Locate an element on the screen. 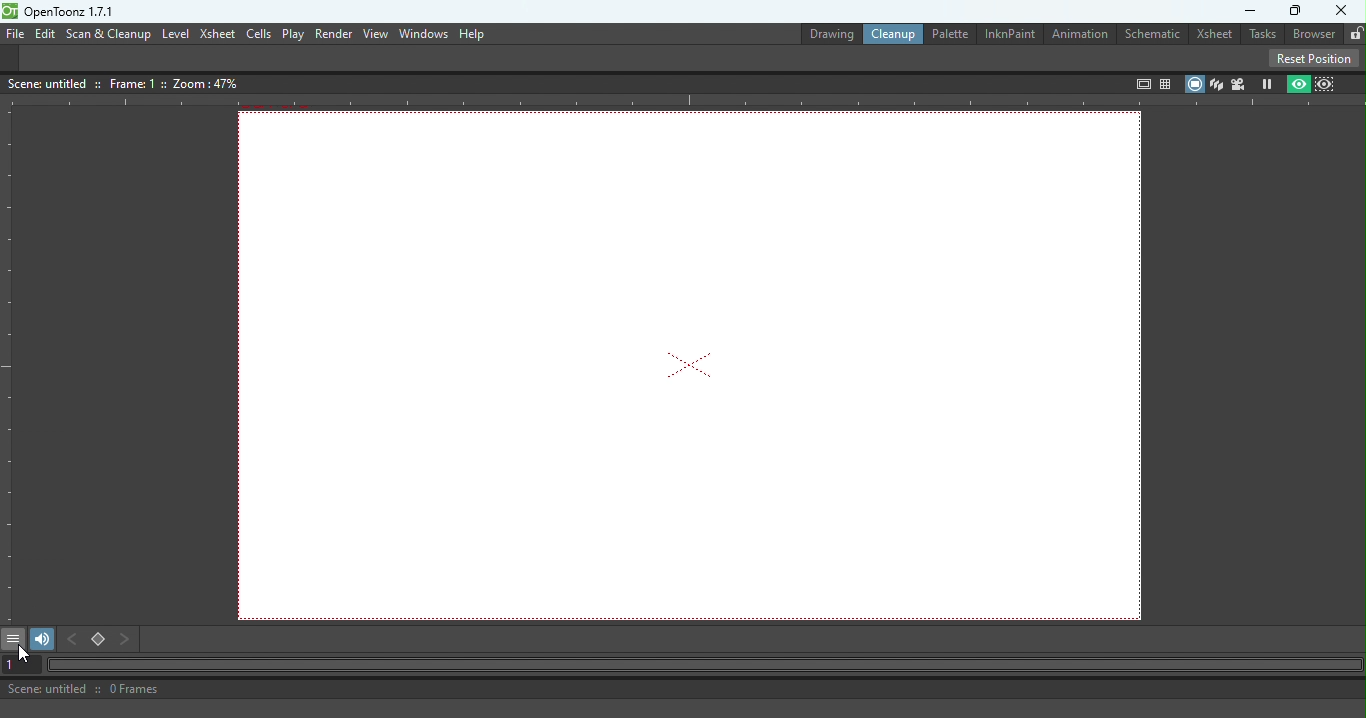 The width and height of the screenshot is (1366, 718). Play is located at coordinates (293, 34).